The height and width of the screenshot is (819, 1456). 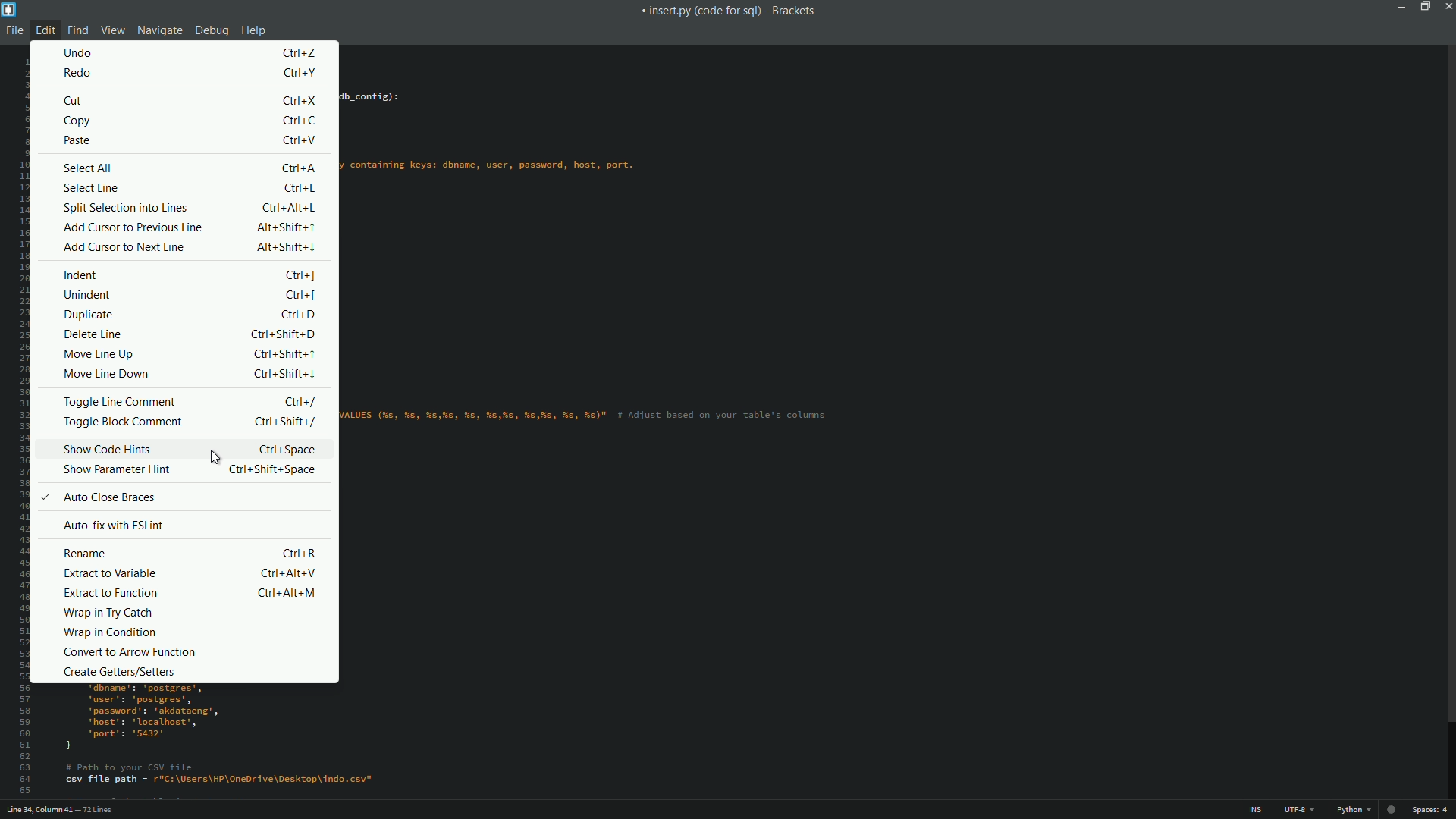 What do you see at coordinates (210, 31) in the screenshot?
I see `debug menu` at bounding box center [210, 31].